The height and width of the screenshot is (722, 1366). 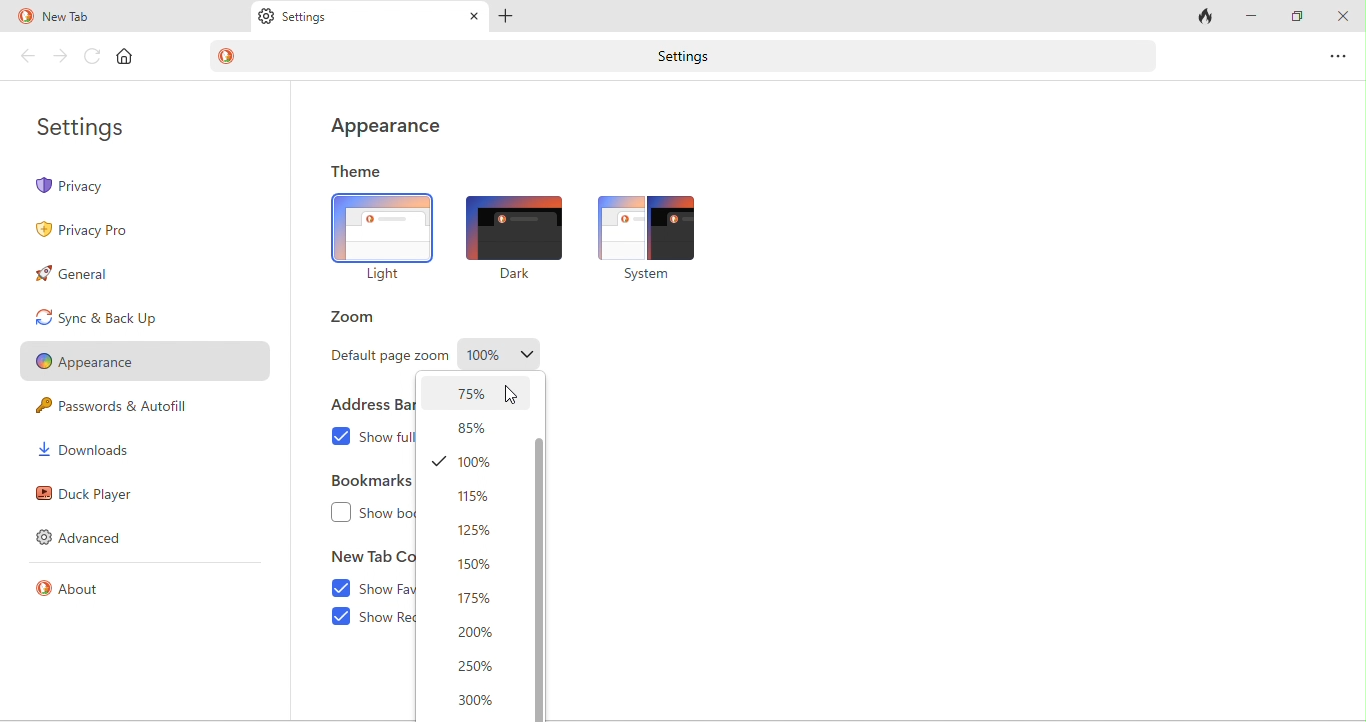 I want to click on duck player, so click(x=92, y=494).